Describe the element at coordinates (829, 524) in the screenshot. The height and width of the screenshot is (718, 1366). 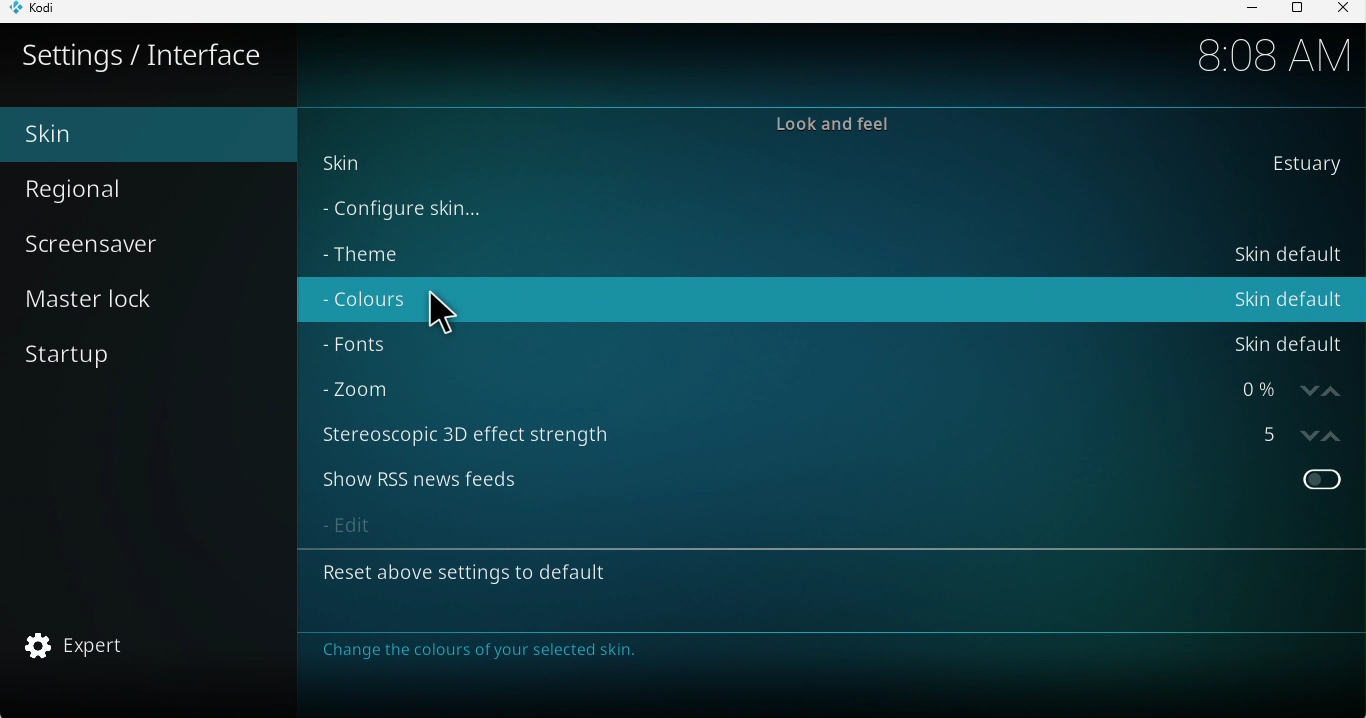
I see `Edit` at that location.